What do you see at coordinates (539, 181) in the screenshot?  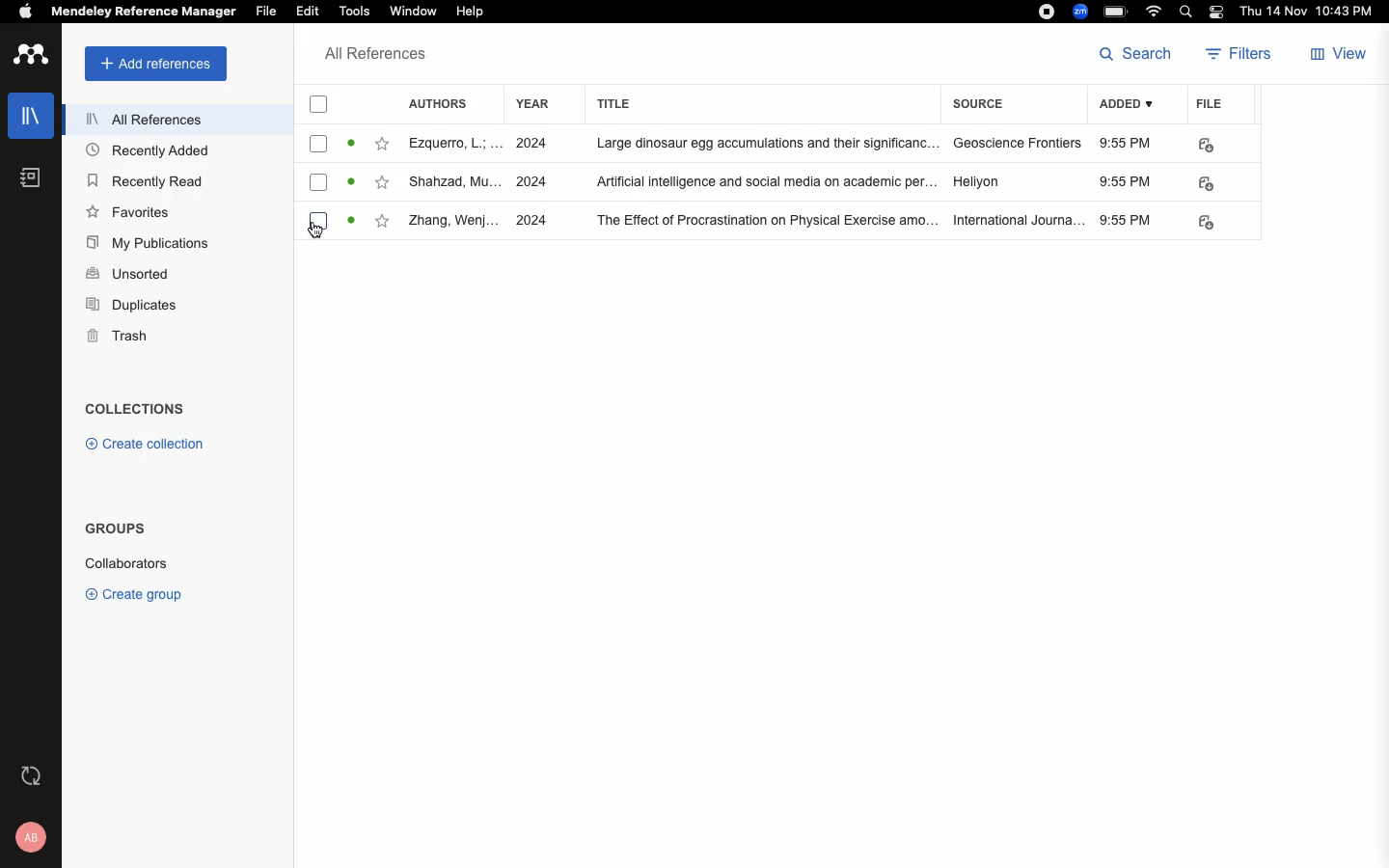 I see `2024` at bounding box center [539, 181].